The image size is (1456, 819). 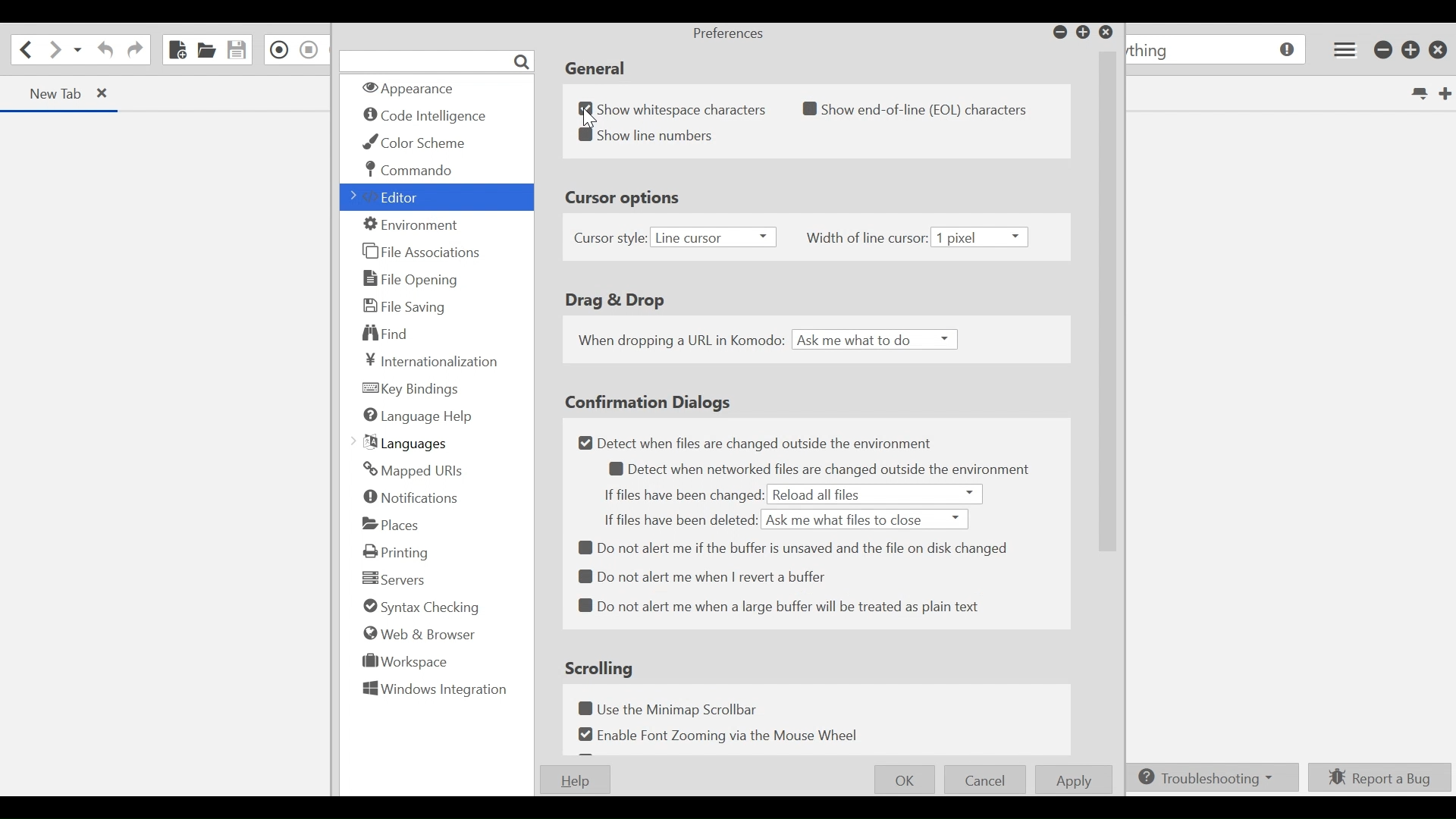 What do you see at coordinates (601, 667) in the screenshot?
I see `Scrolling` at bounding box center [601, 667].